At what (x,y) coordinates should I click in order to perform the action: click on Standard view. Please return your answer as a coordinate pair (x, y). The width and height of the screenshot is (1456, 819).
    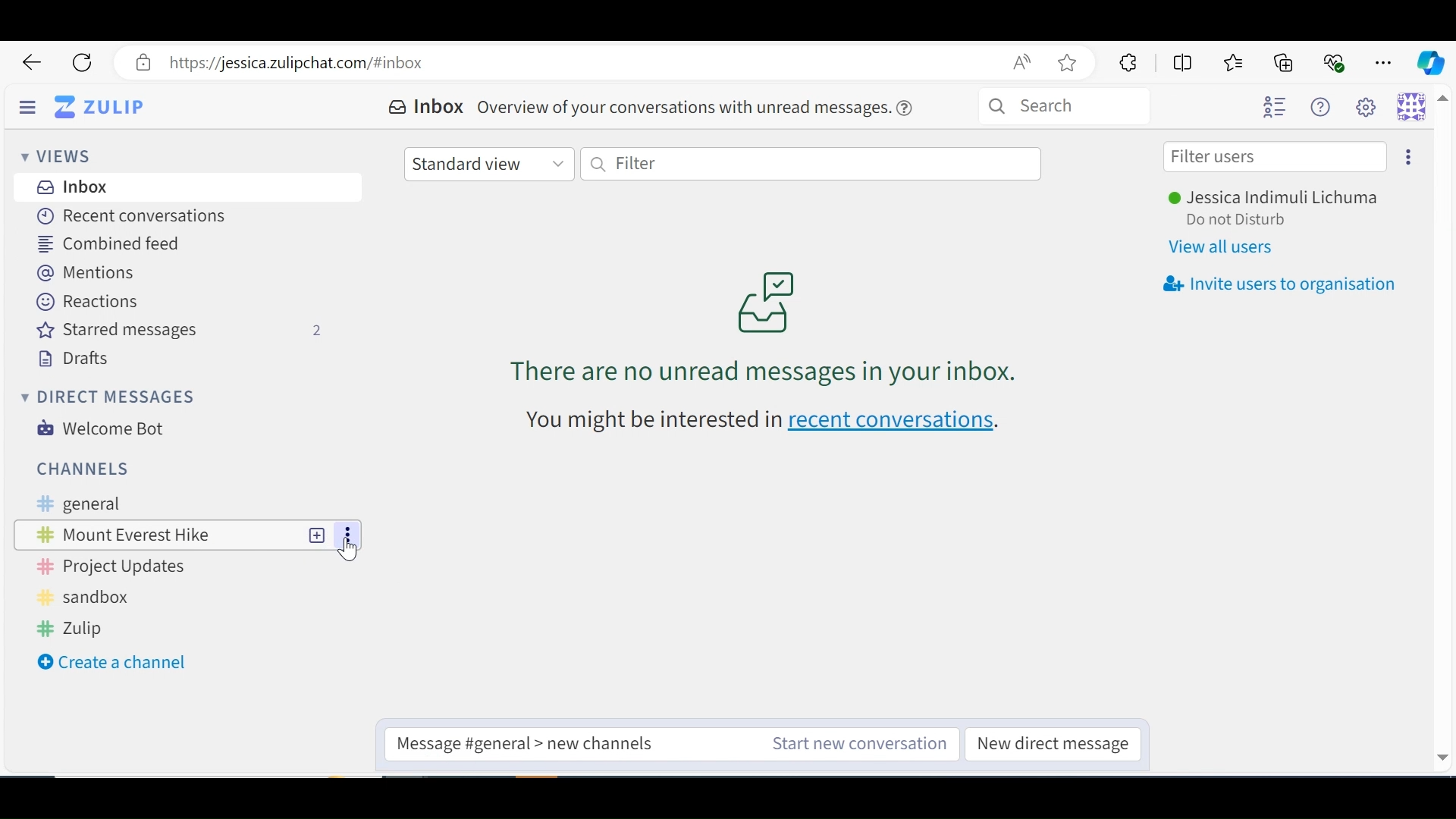
    Looking at the image, I should click on (488, 162).